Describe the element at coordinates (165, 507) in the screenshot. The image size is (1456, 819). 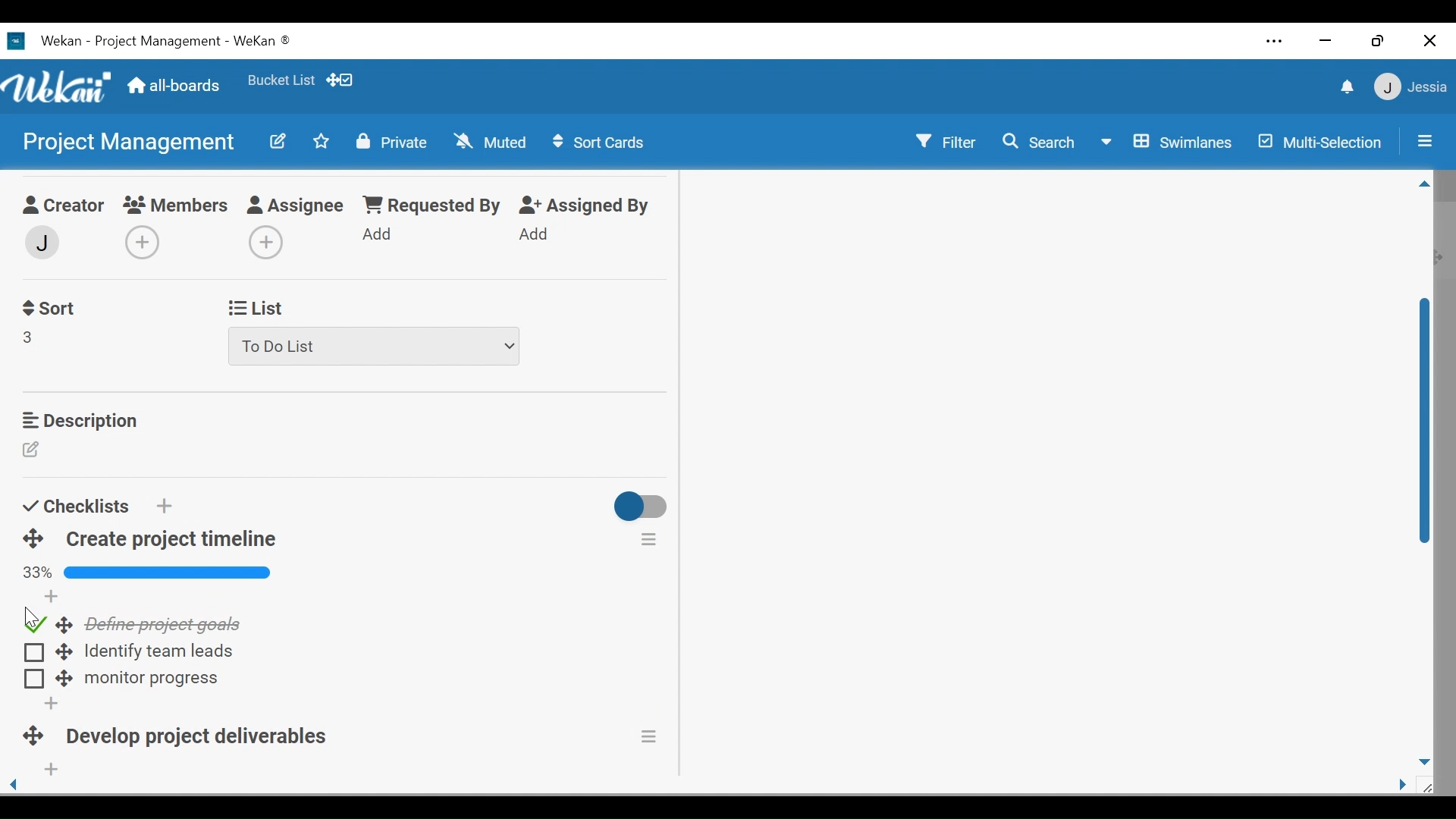
I see `` at that location.